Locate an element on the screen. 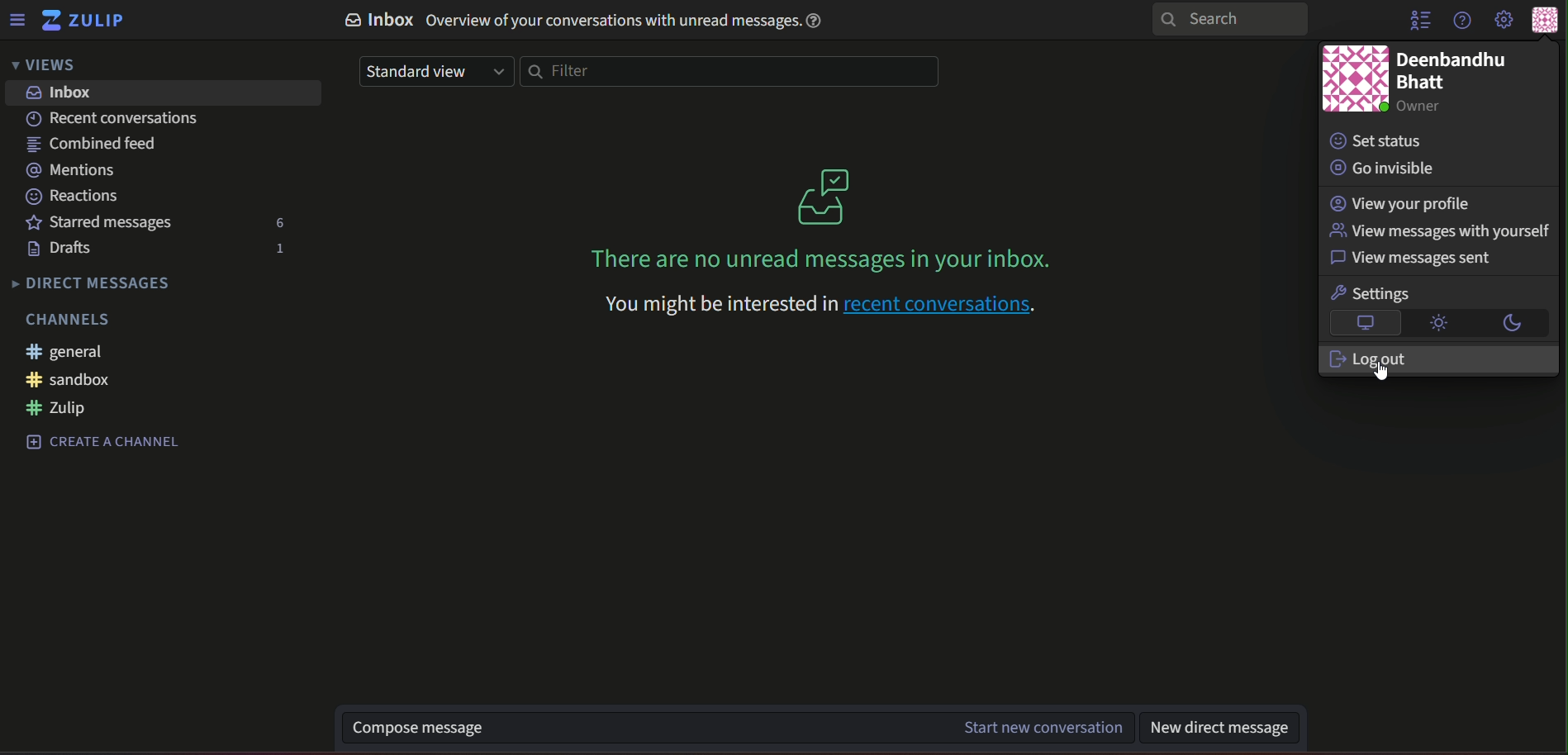 The height and width of the screenshot is (755, 1568). views is located at coordinates (47, 66).